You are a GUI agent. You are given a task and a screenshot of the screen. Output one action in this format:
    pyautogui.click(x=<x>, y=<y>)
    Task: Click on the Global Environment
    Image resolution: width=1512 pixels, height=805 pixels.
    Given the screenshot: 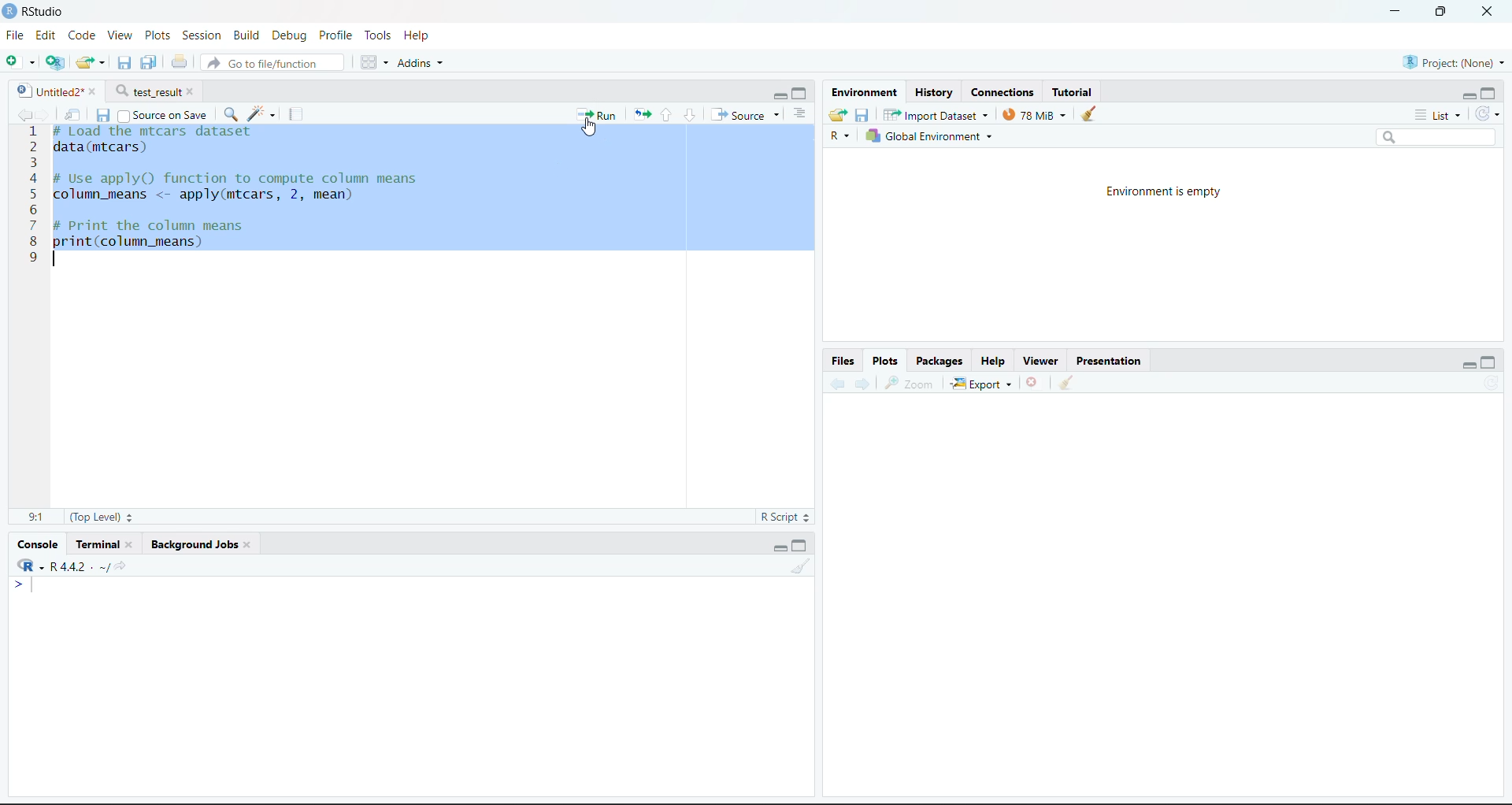 What is the action you would take?
    pyautogui.click(x=929, y=136)
    